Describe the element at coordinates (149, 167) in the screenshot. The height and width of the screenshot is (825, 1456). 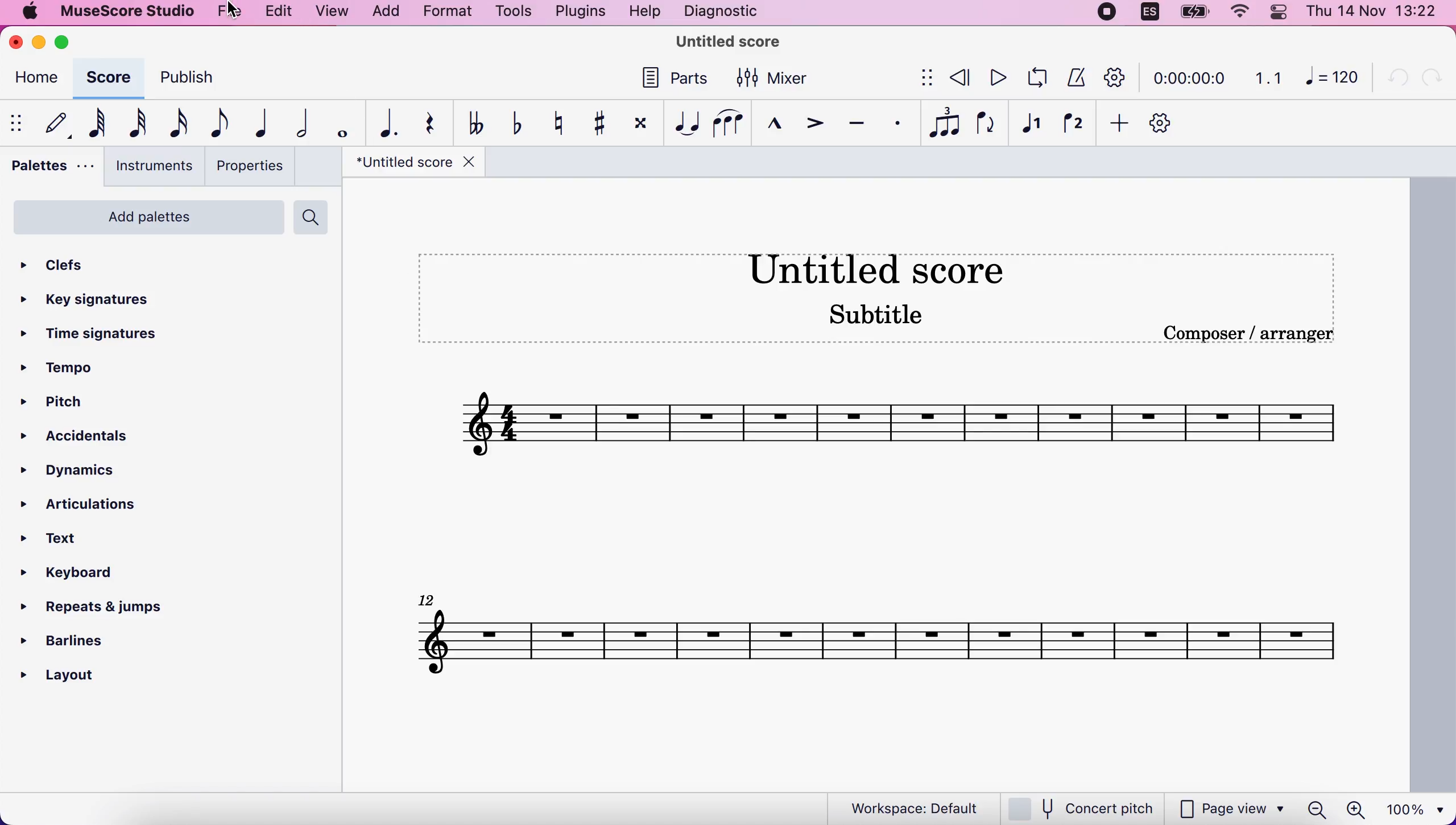
I see `instruments` at that location.